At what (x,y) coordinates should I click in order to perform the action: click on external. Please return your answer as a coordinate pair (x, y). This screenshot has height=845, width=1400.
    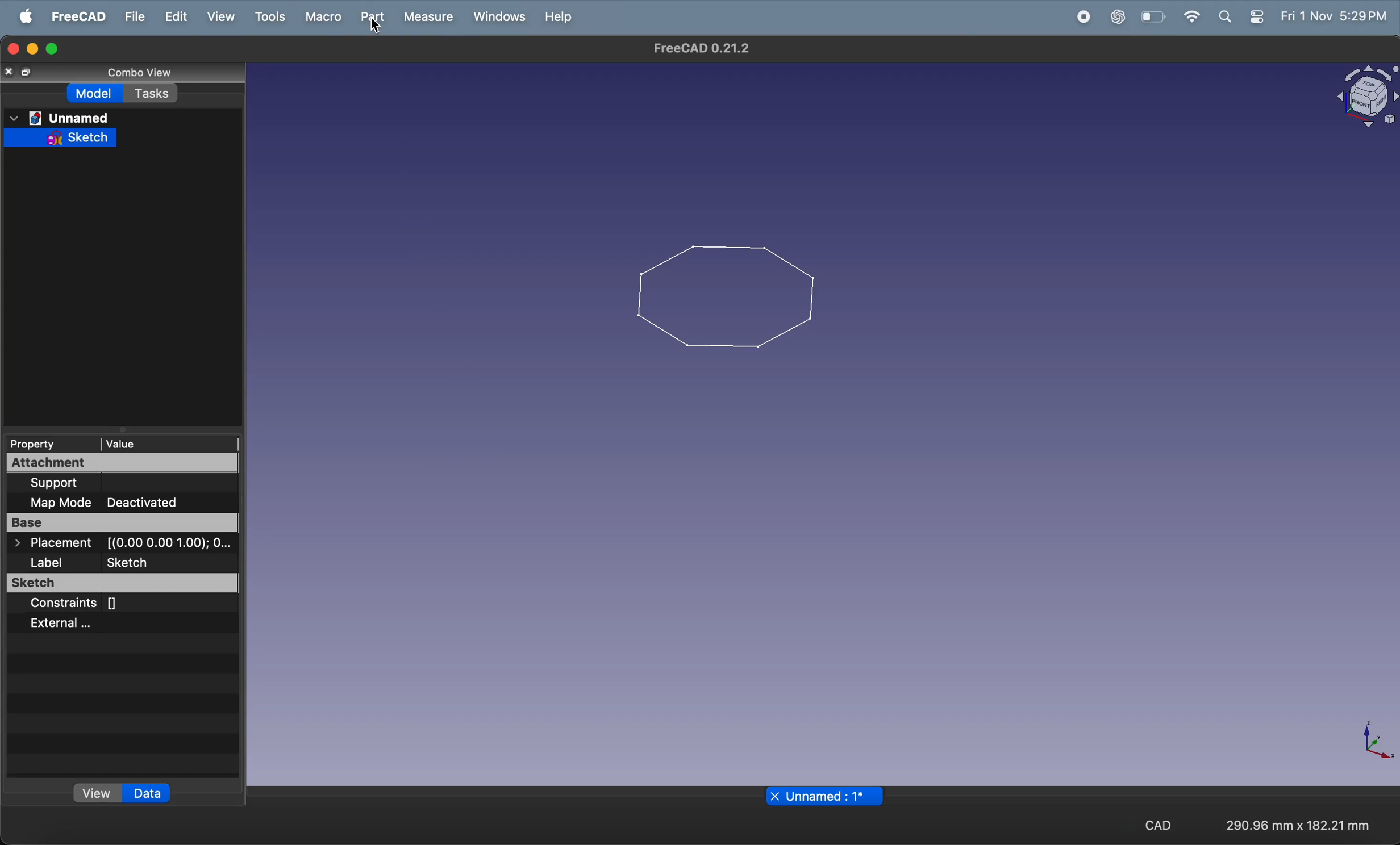
    Looking at the image, I should click on (81, 622).